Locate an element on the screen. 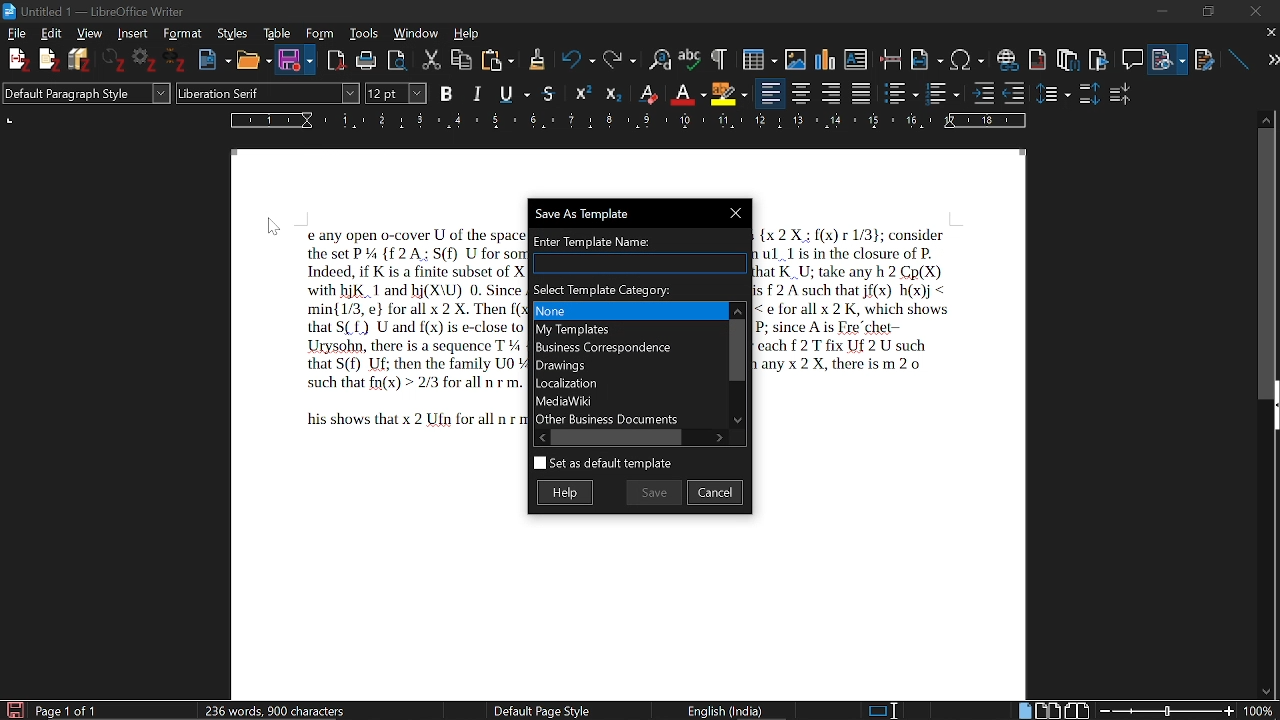 This screenshot has height=720, width=1280. Save is located at coordinates (289, 61).